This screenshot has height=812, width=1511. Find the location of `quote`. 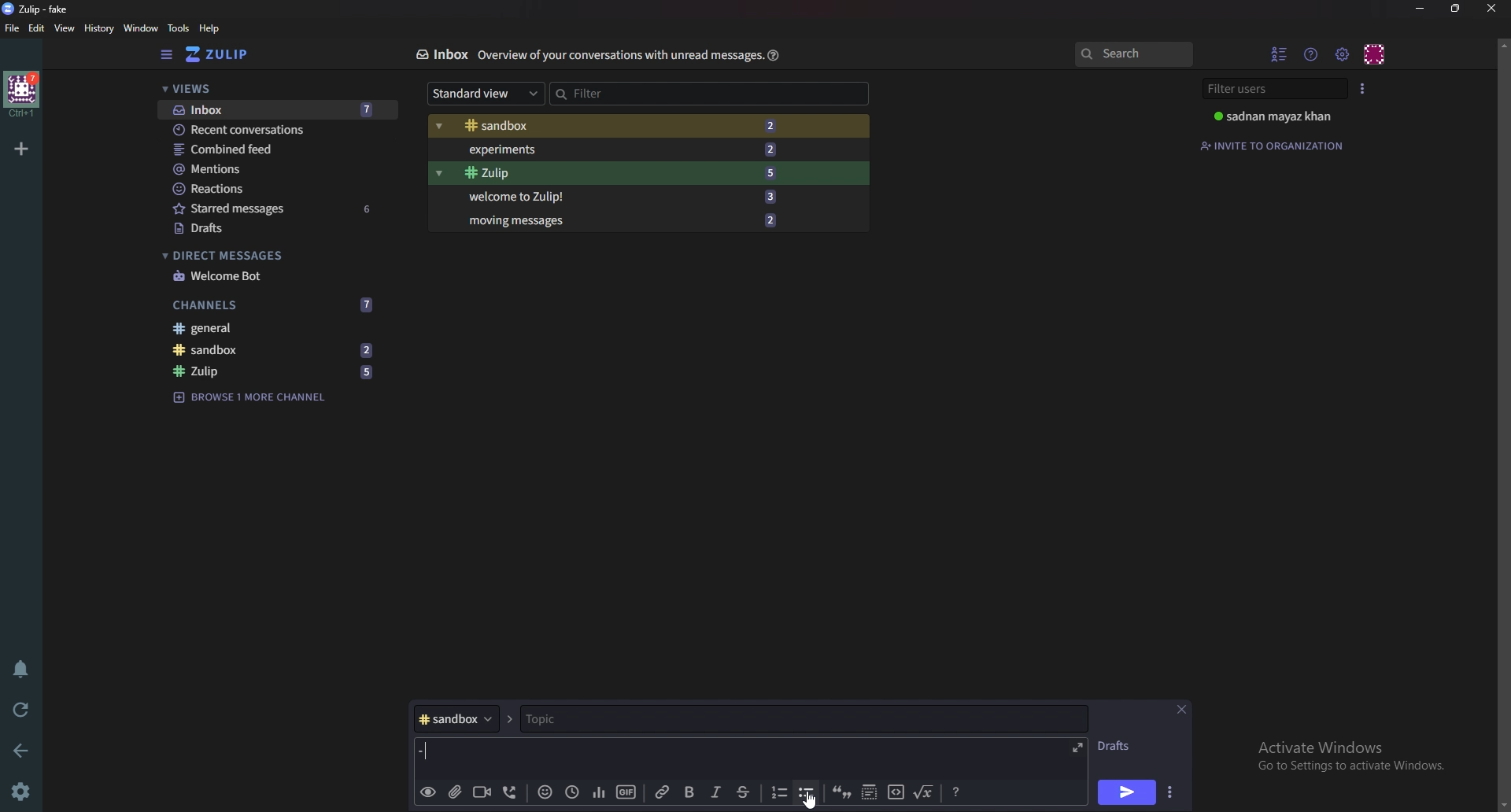

quote is located at coordinates (840, 791).